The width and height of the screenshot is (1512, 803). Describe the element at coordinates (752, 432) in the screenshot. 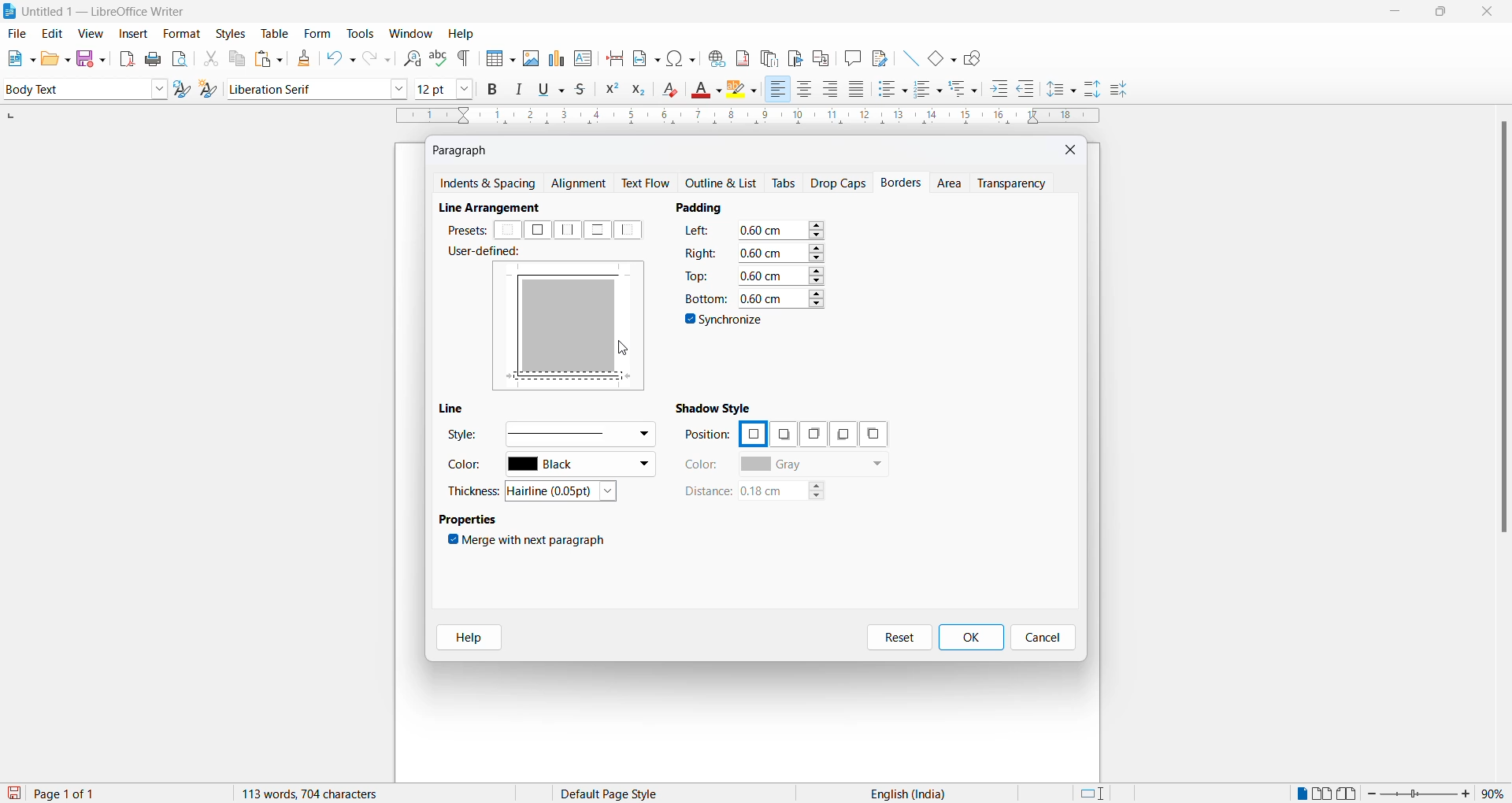

I see `position options` at that location.